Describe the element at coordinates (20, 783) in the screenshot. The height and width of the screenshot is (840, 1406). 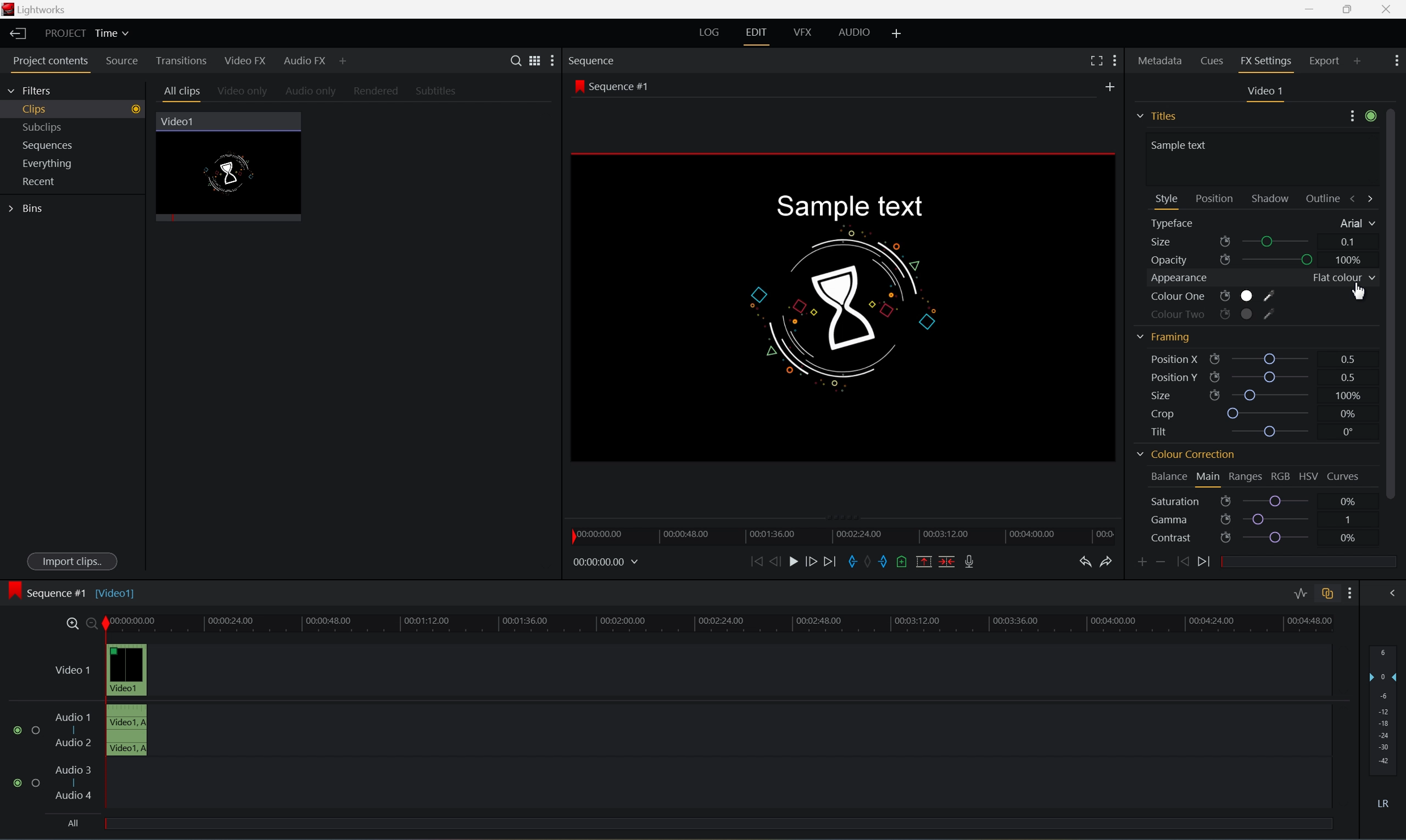
I see `checked checkbox` at that location.